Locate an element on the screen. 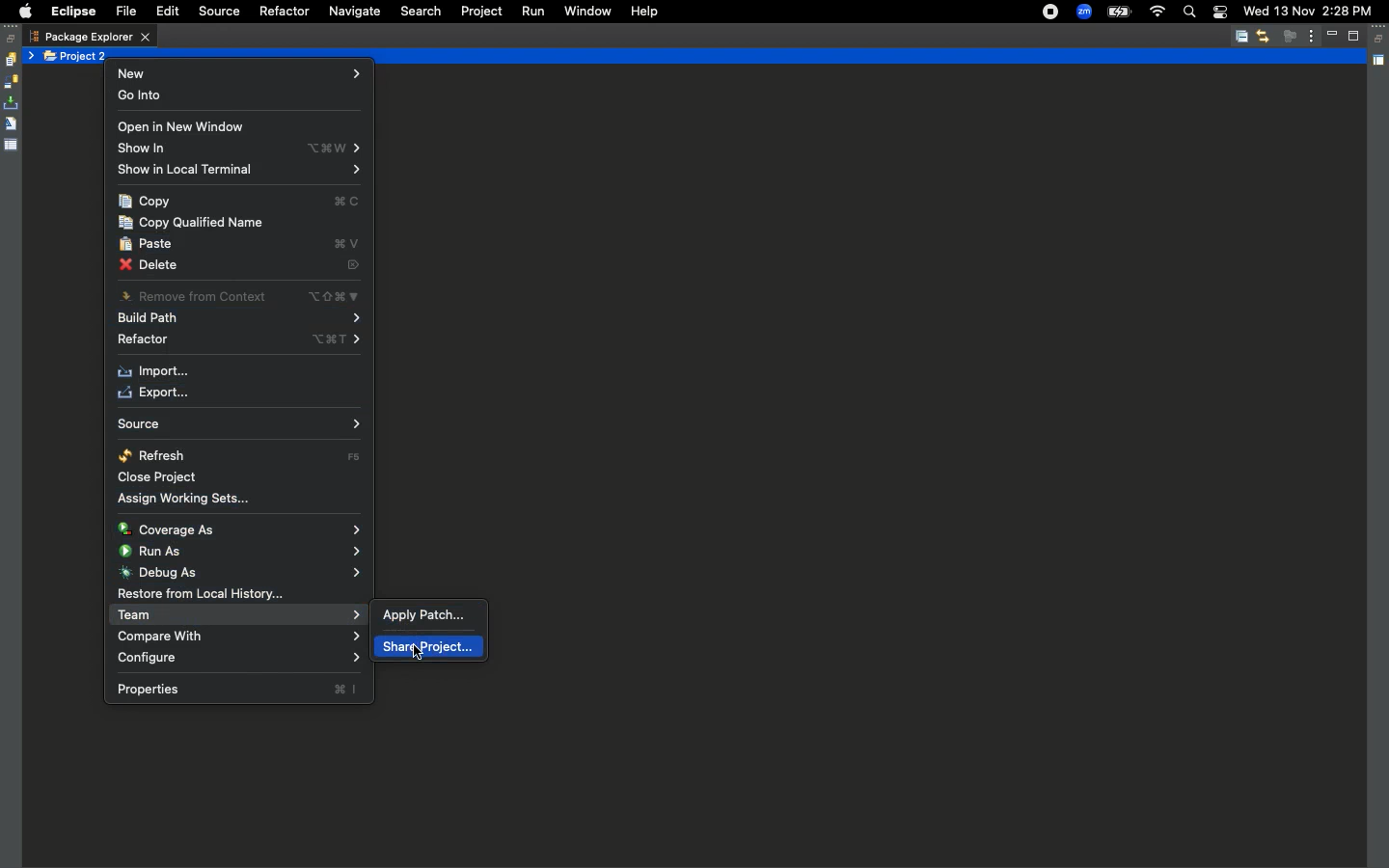 This screenshot has width=1389, height=868. Maximize is located at coordinates (1355, 36).